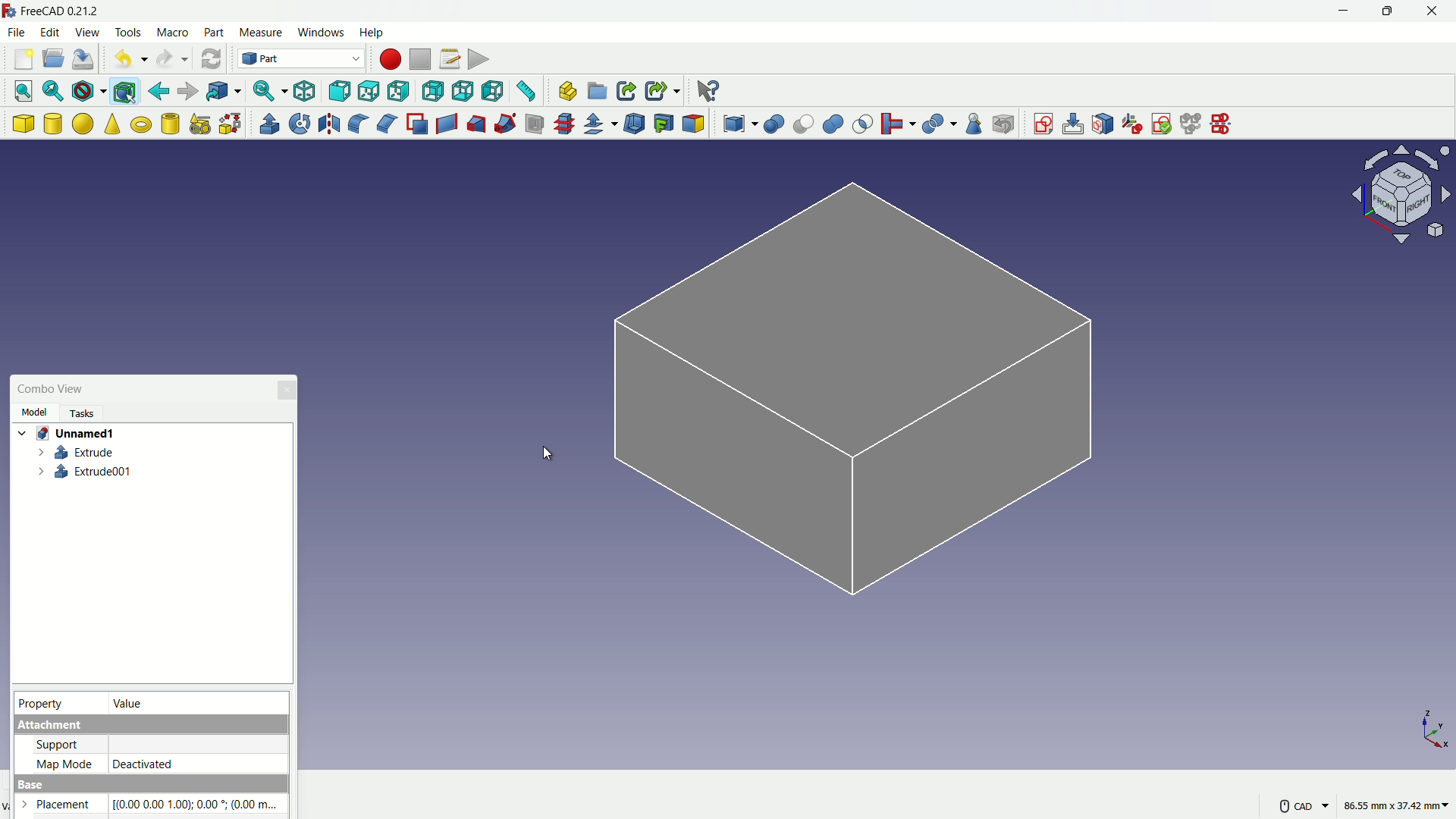 The height and width of the screenshot is (819, 1456). Describe the element at coordinates (1043, 122) in the screenshot. I see `create sketch` at that location.